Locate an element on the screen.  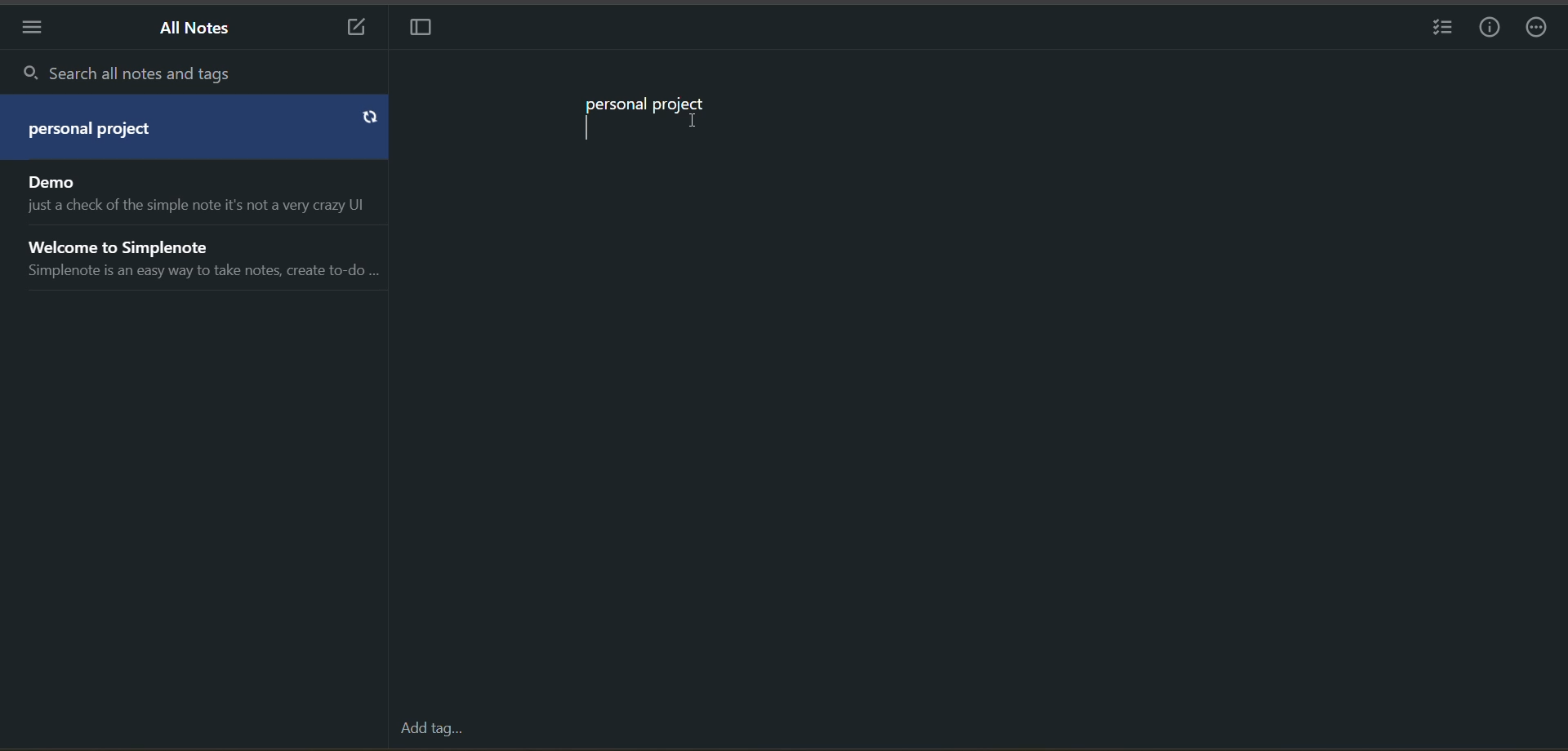
search all notes and tags is located at coordinates (201, 74).